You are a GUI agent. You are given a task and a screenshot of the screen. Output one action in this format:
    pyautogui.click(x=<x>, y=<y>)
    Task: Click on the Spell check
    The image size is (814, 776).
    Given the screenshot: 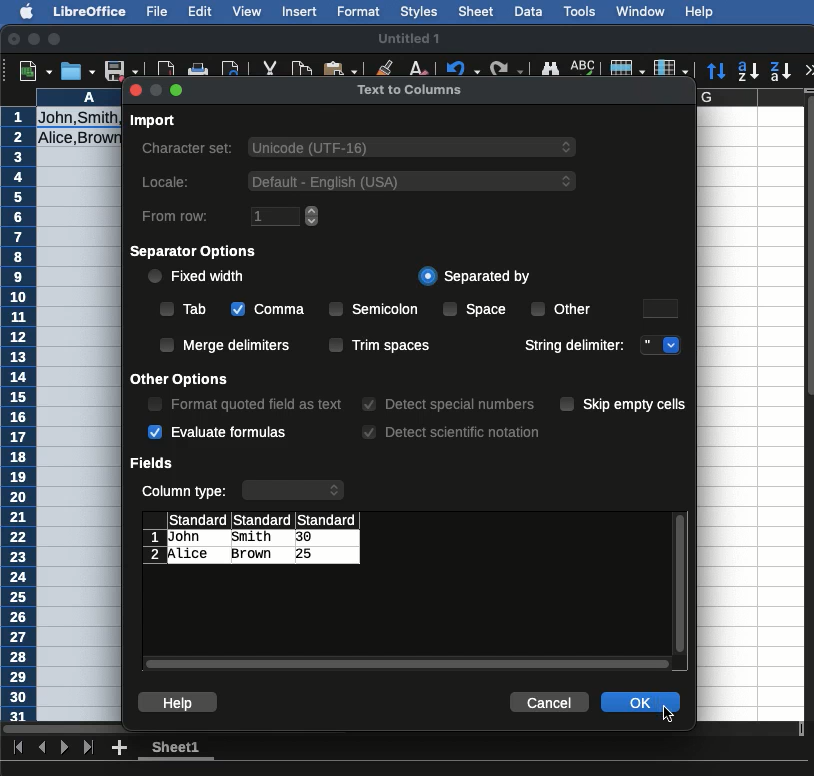 What is the action you would take?
    pyautogui.click(x=584, y=69)
    